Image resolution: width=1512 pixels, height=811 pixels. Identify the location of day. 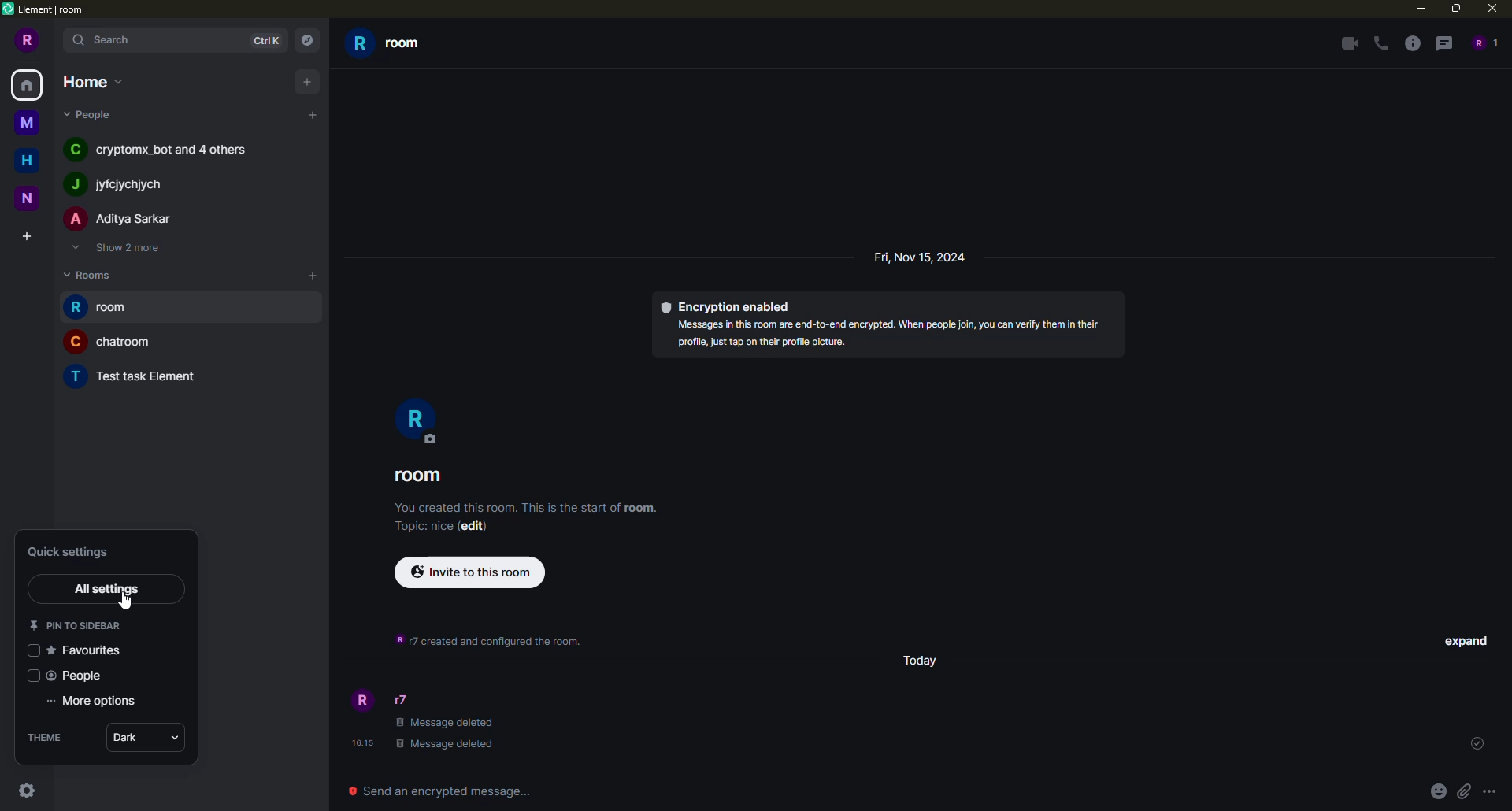
(921, 257).